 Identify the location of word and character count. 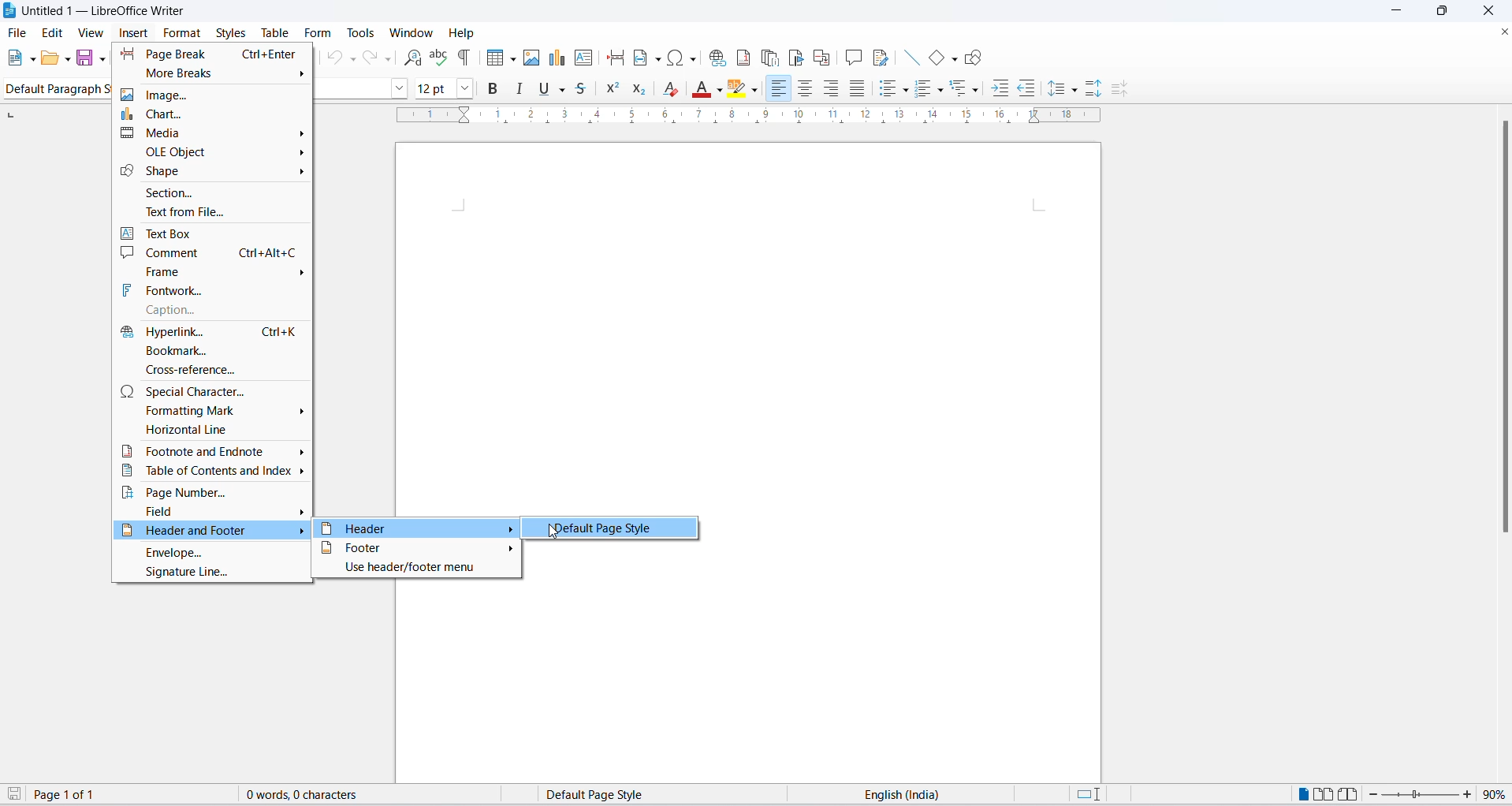
(310, 794).